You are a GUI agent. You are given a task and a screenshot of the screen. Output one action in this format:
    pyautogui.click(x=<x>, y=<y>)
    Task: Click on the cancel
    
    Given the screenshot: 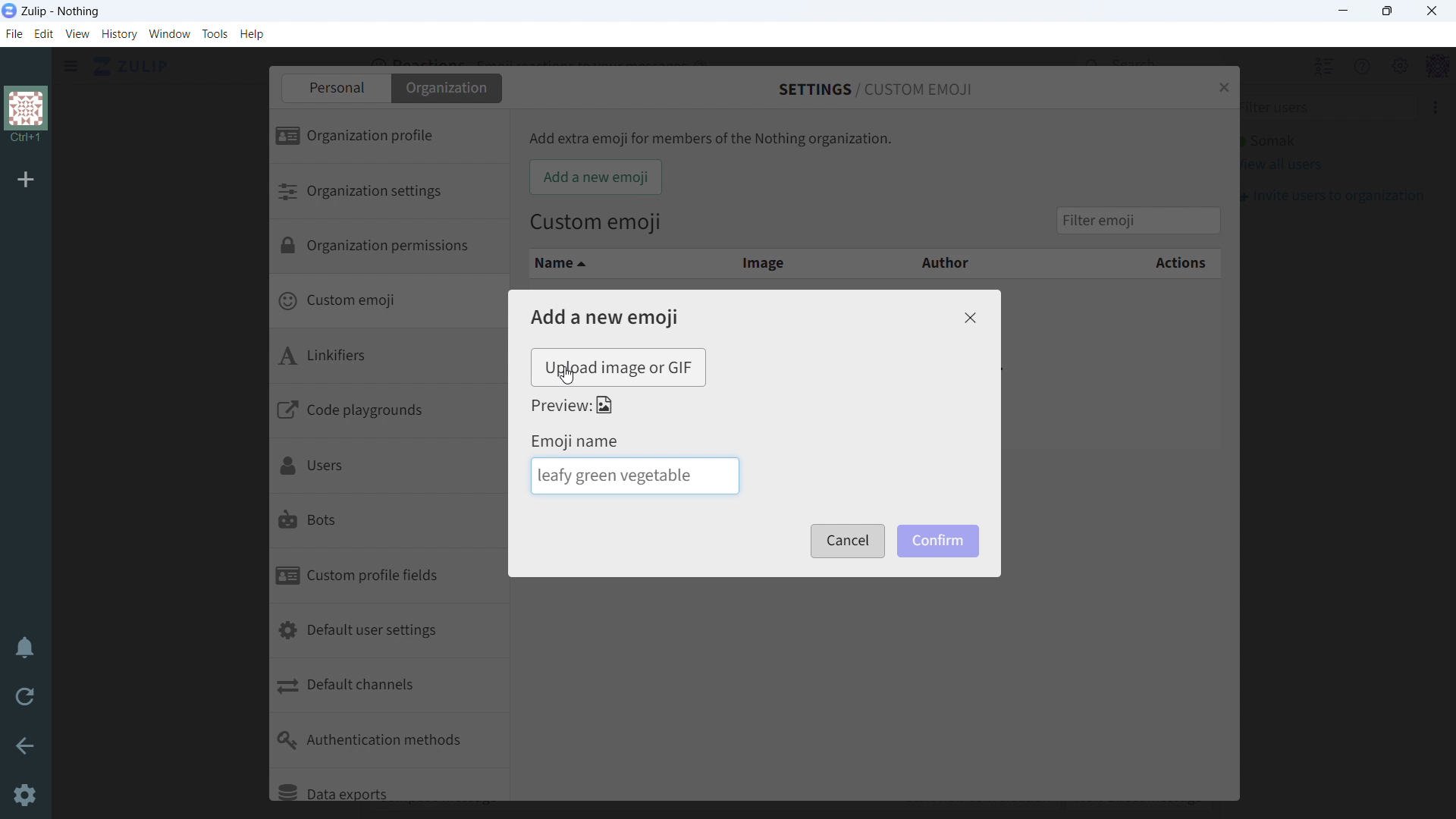 What is the action you would take?
    pyautogui.click(x=846, y=541)
    